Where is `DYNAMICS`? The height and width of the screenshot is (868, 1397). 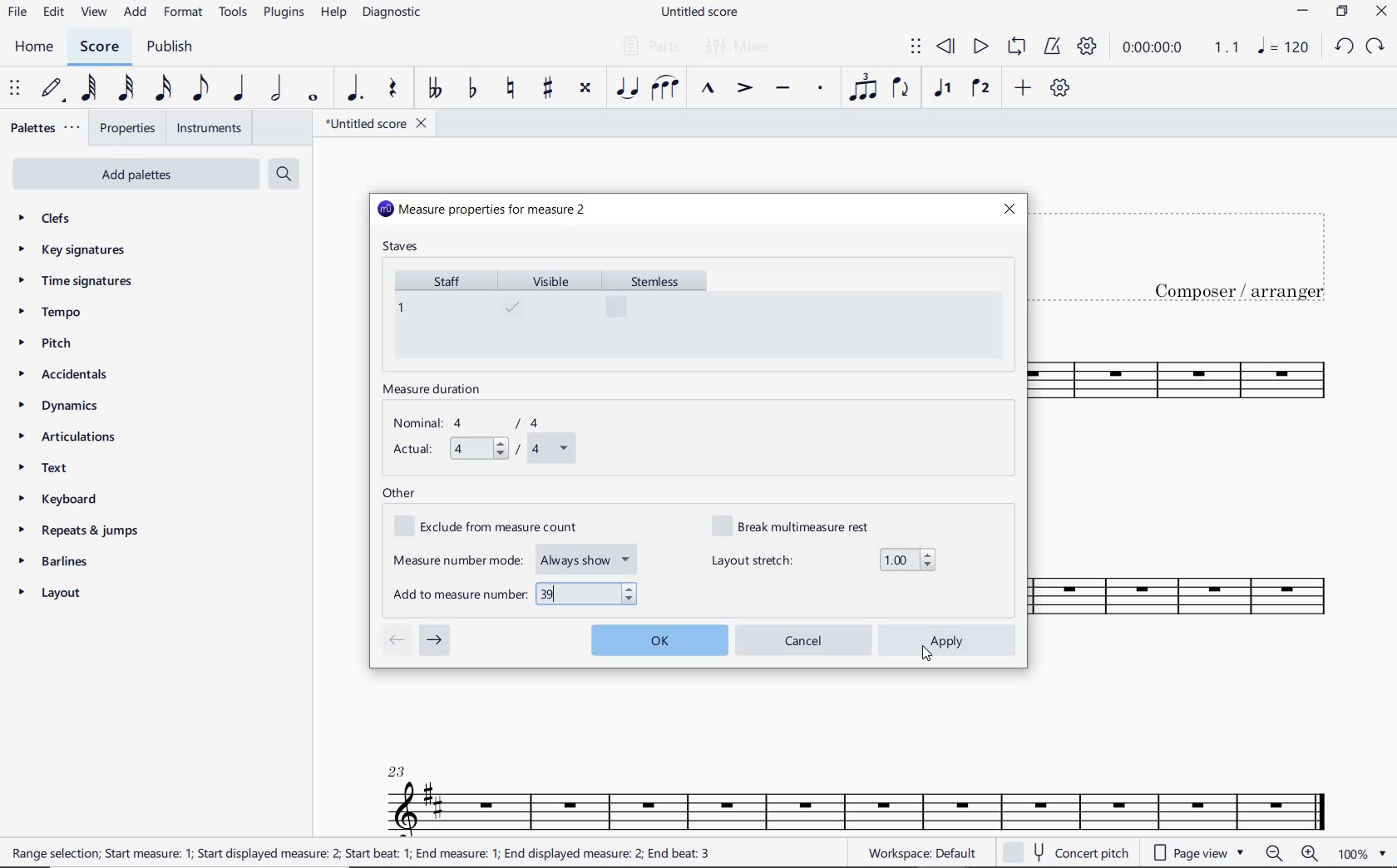 DYNAMICS is located at coordinates (67, 407).